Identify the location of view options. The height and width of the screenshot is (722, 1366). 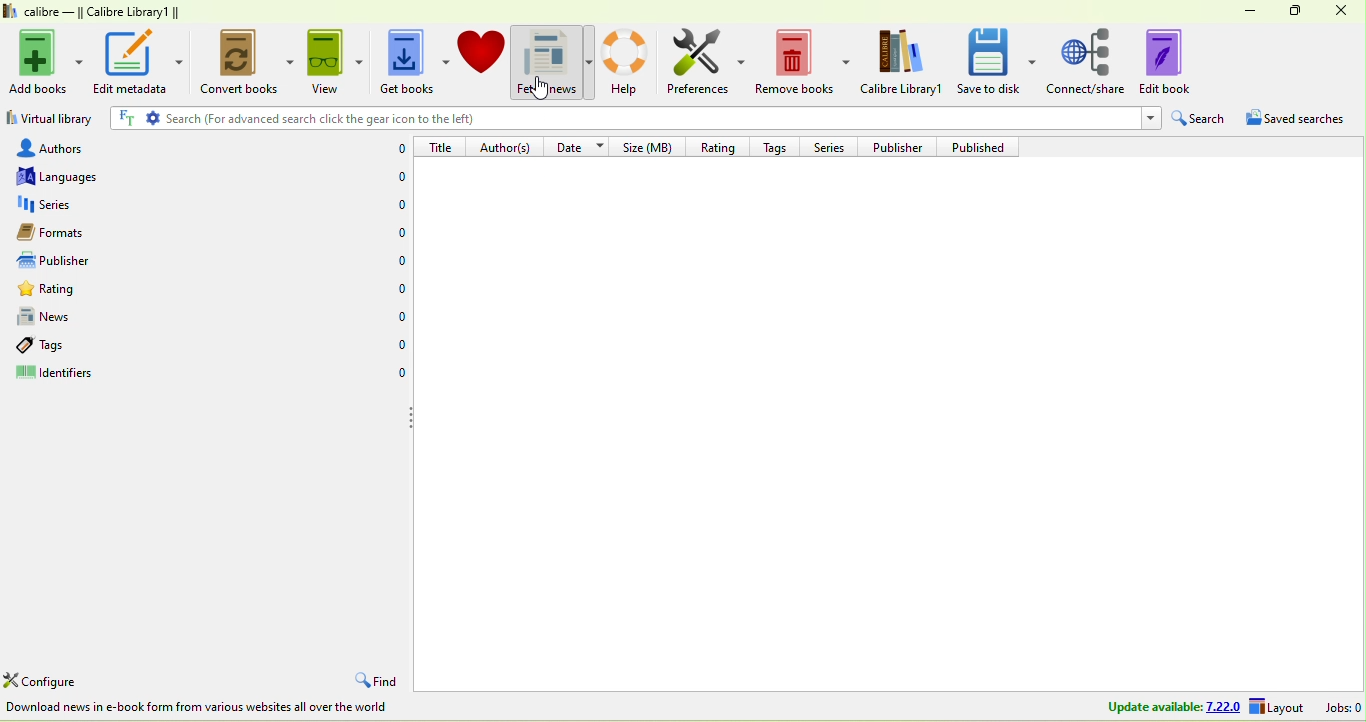
(361, 62).